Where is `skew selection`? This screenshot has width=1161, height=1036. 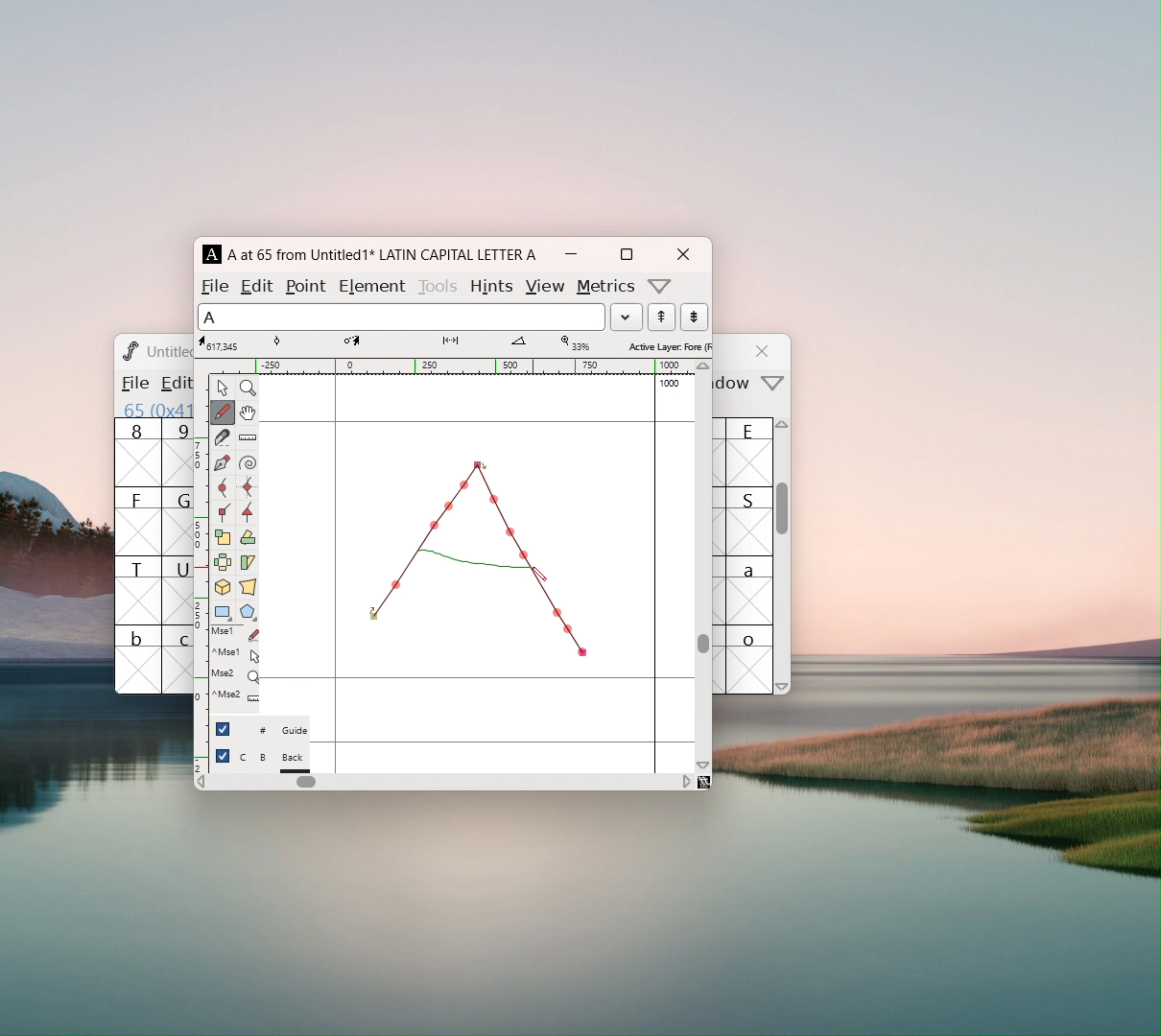 skew selection is located at coordinates (247, 564).